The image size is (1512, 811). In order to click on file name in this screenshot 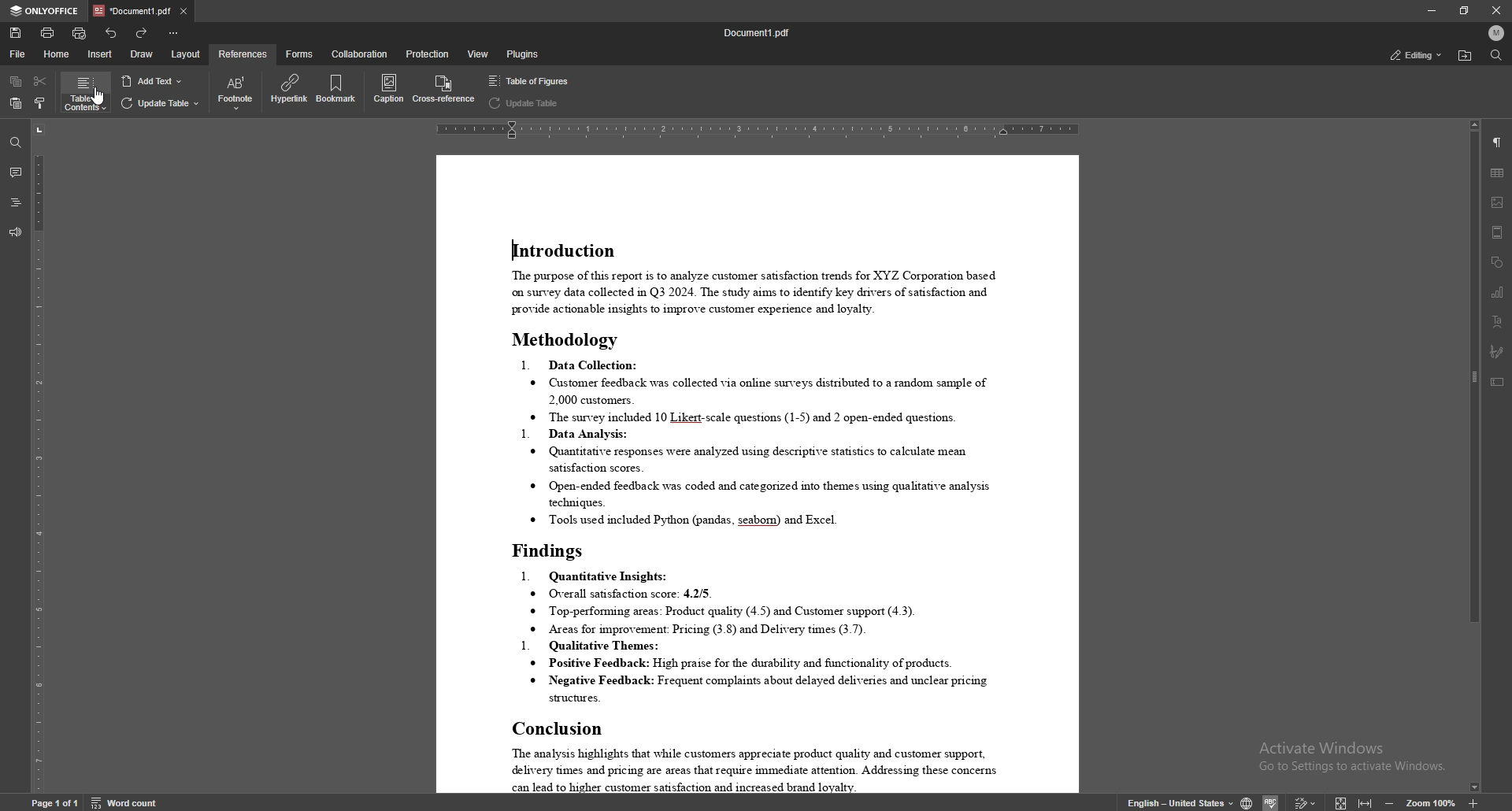, I will do `click(758, 32)`.